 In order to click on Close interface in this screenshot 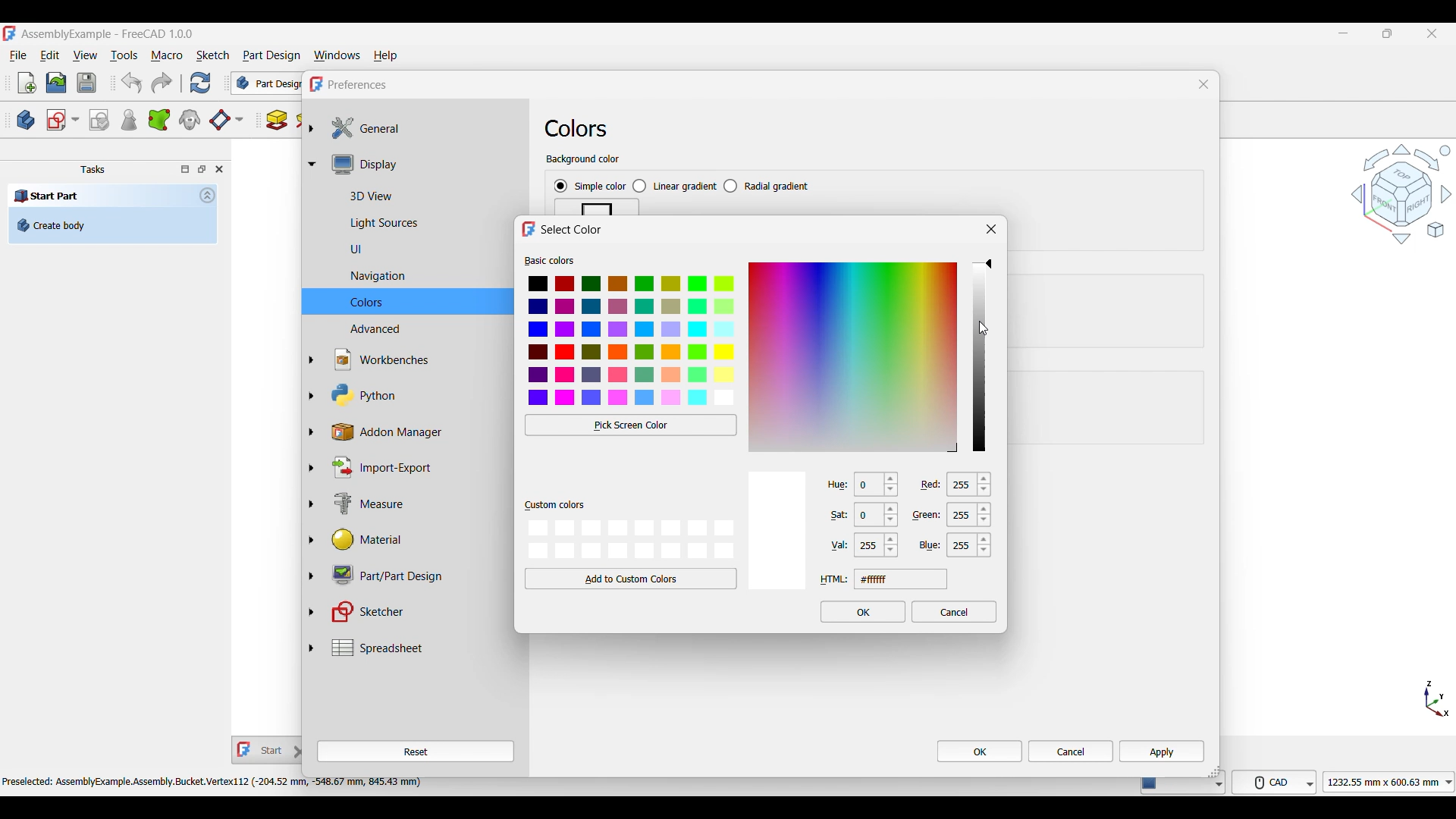, I will do `click(1432, 34)`.